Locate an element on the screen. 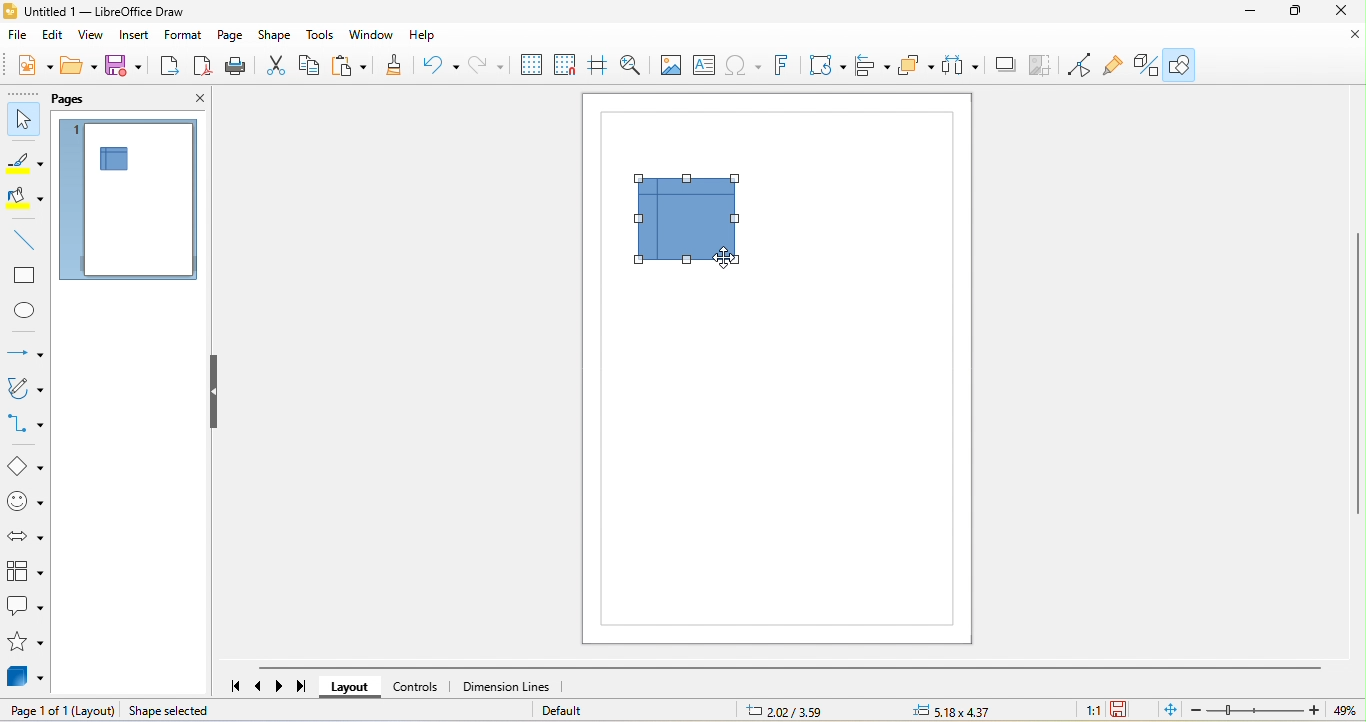 Image resolution: width=1366 pixels, height=722 pixels. line color is located at coordinates (24, 160).